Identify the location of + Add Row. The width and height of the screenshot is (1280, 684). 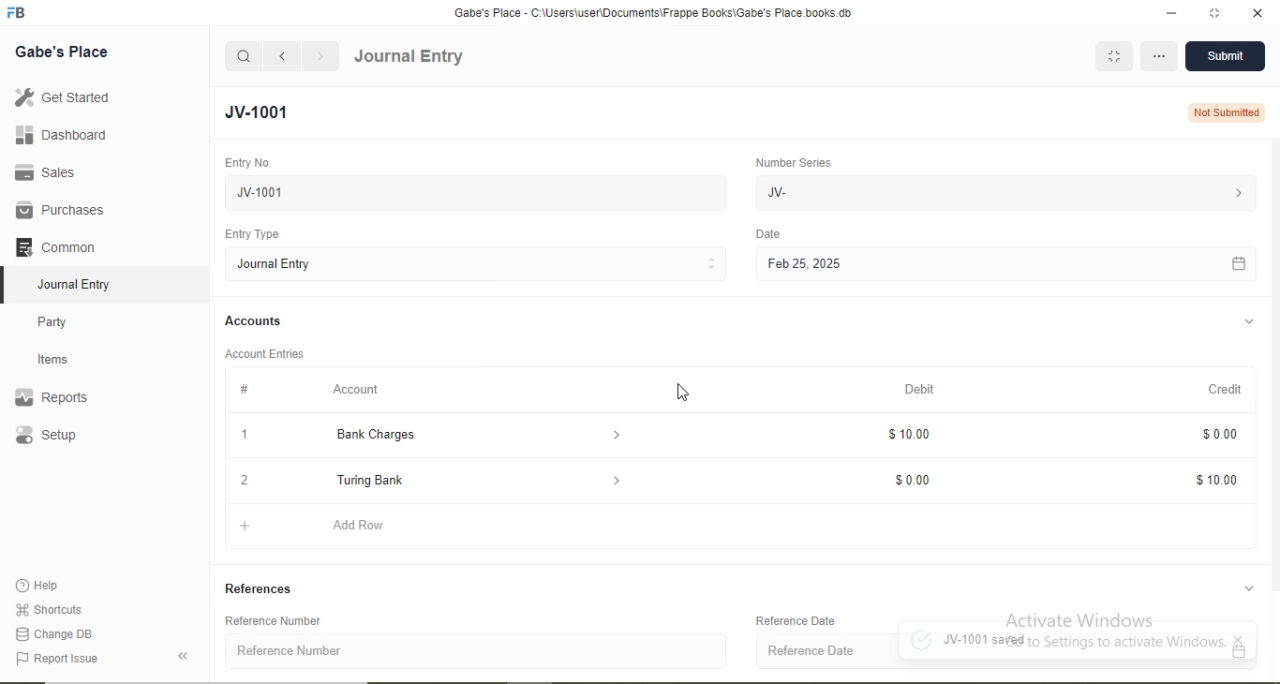
(745, 528).